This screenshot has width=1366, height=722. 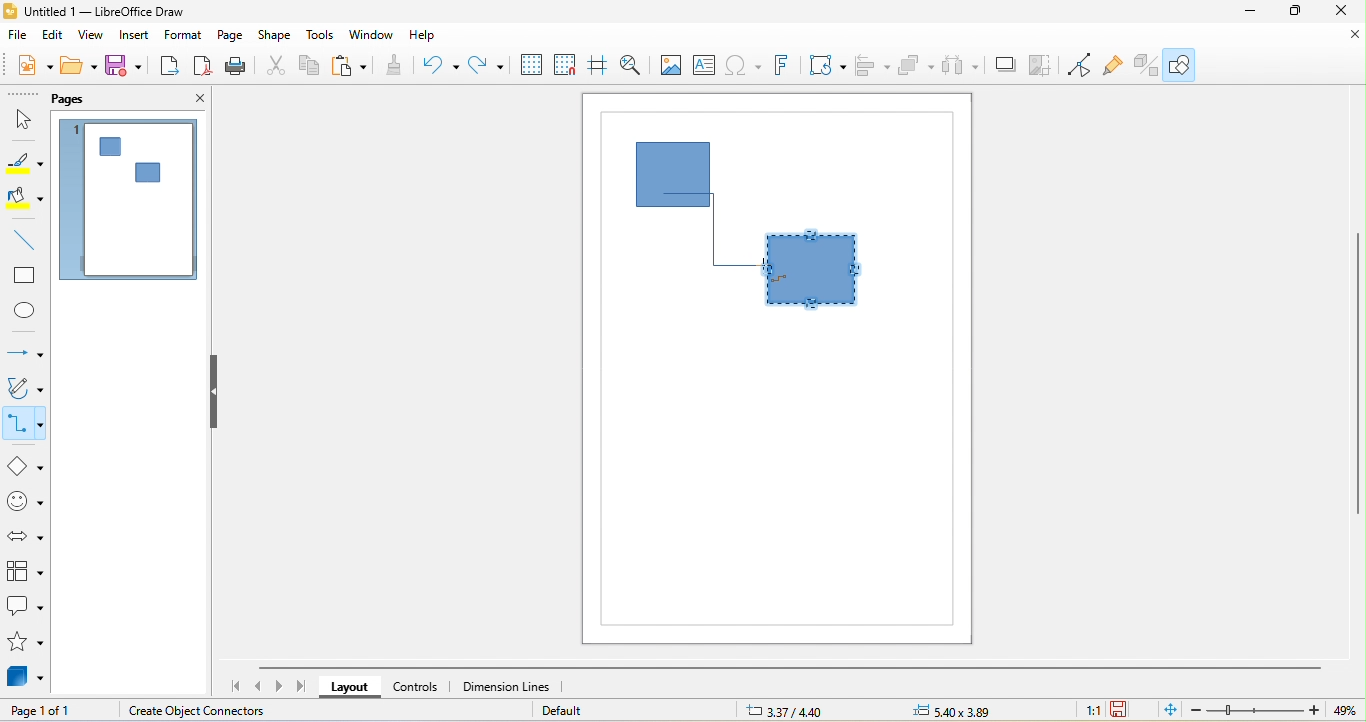 I want to click on scroll to next page, so click(x=280, y=688).